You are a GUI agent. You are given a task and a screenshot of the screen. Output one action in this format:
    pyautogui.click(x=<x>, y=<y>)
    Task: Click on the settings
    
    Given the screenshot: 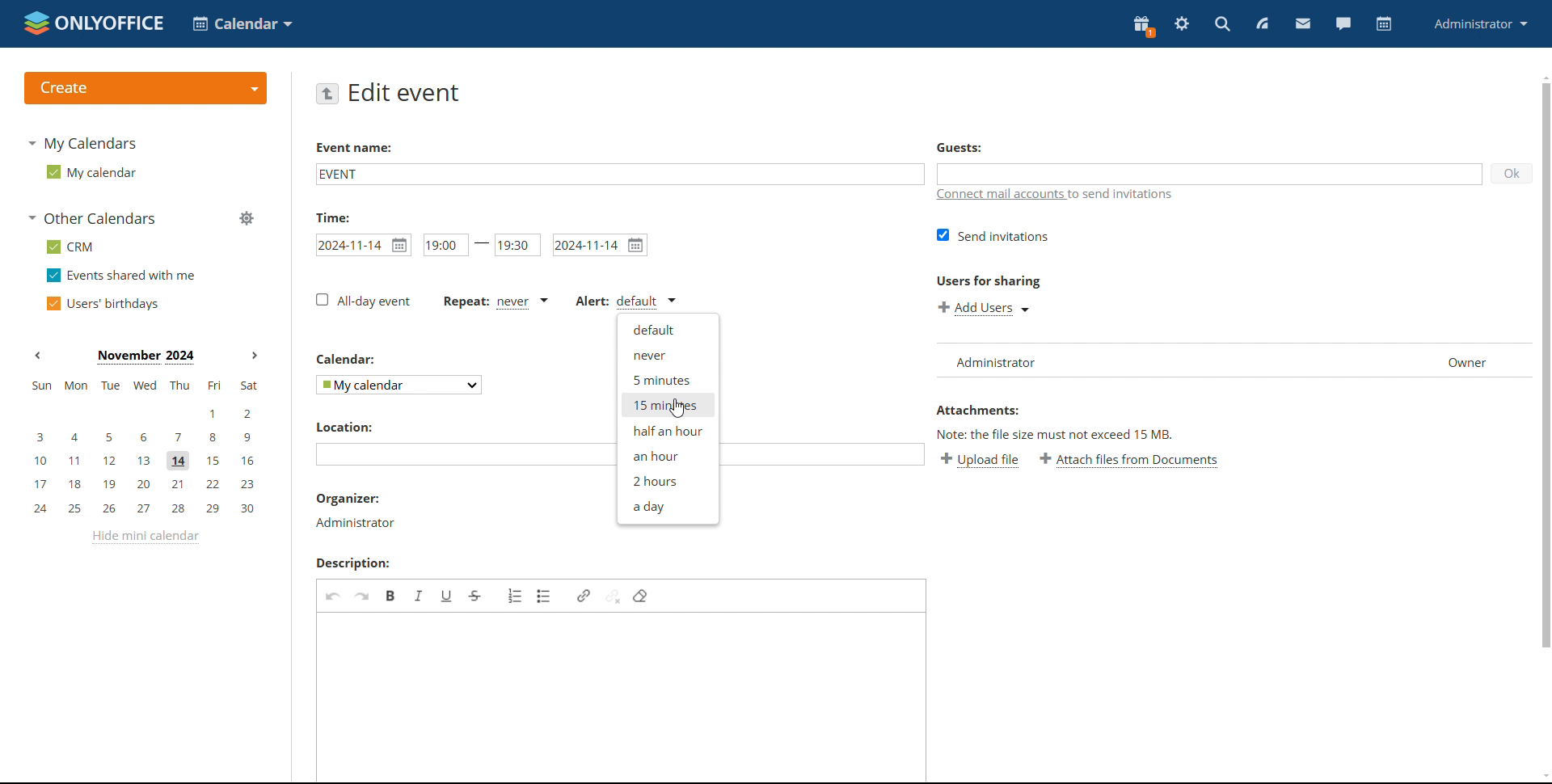 What is the action you would take?
    pyautogui.click(x=1181, y=24)
    